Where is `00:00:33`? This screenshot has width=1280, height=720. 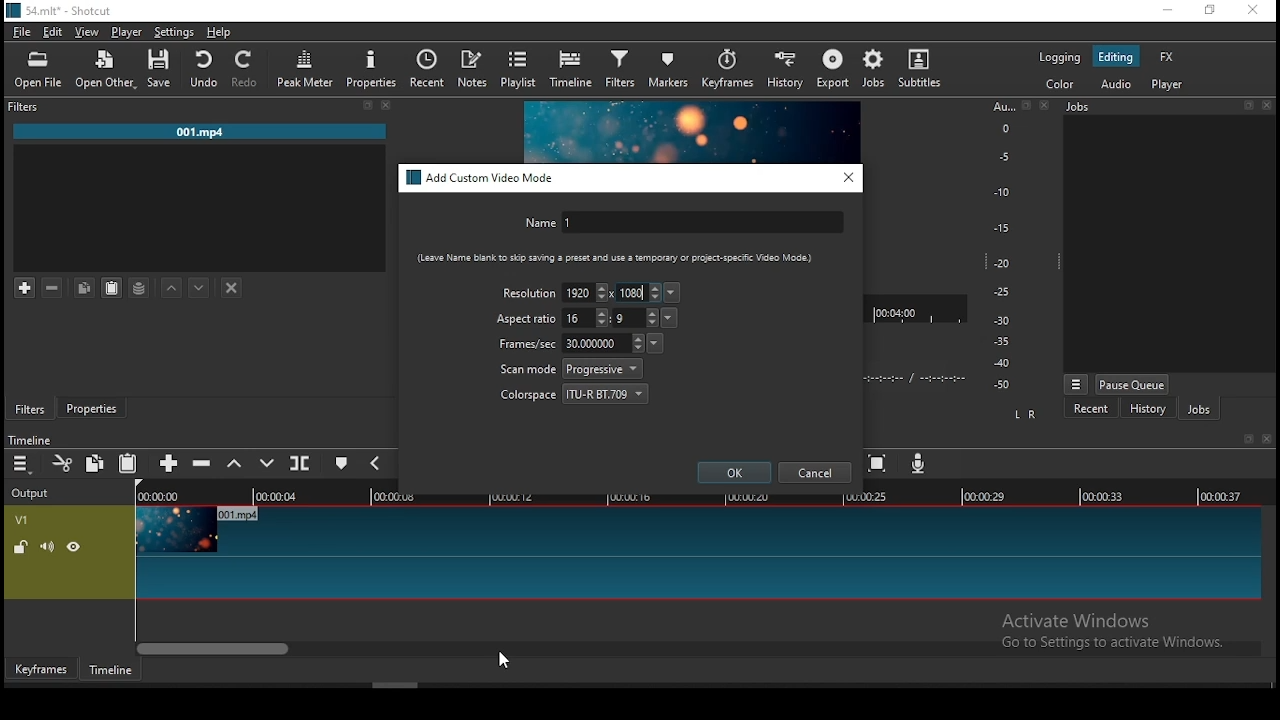 00:00:33 is located at coordinates (1103, 495).